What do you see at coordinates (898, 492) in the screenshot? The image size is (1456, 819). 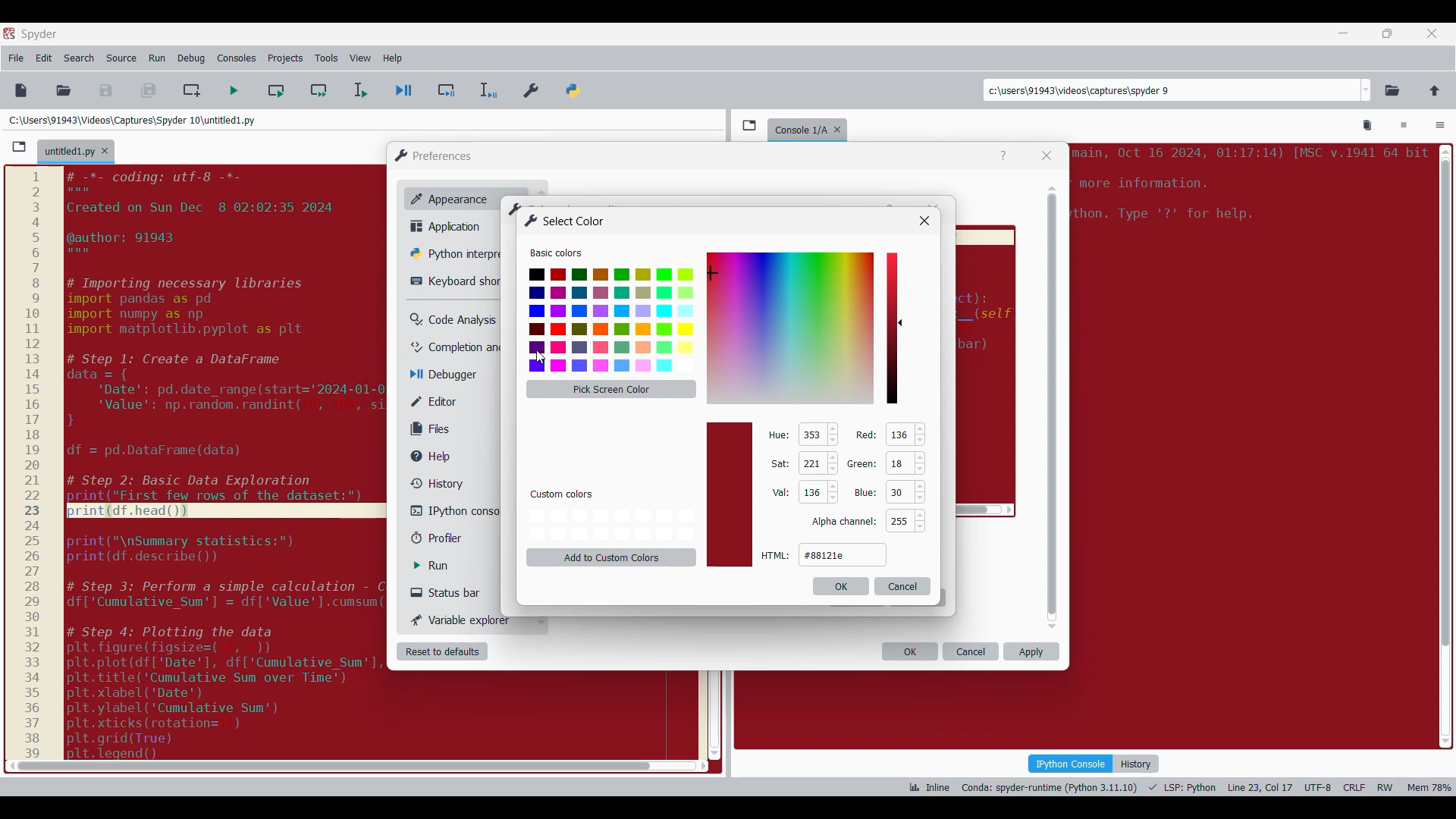 I see `30` at bounding box center [898, 492].